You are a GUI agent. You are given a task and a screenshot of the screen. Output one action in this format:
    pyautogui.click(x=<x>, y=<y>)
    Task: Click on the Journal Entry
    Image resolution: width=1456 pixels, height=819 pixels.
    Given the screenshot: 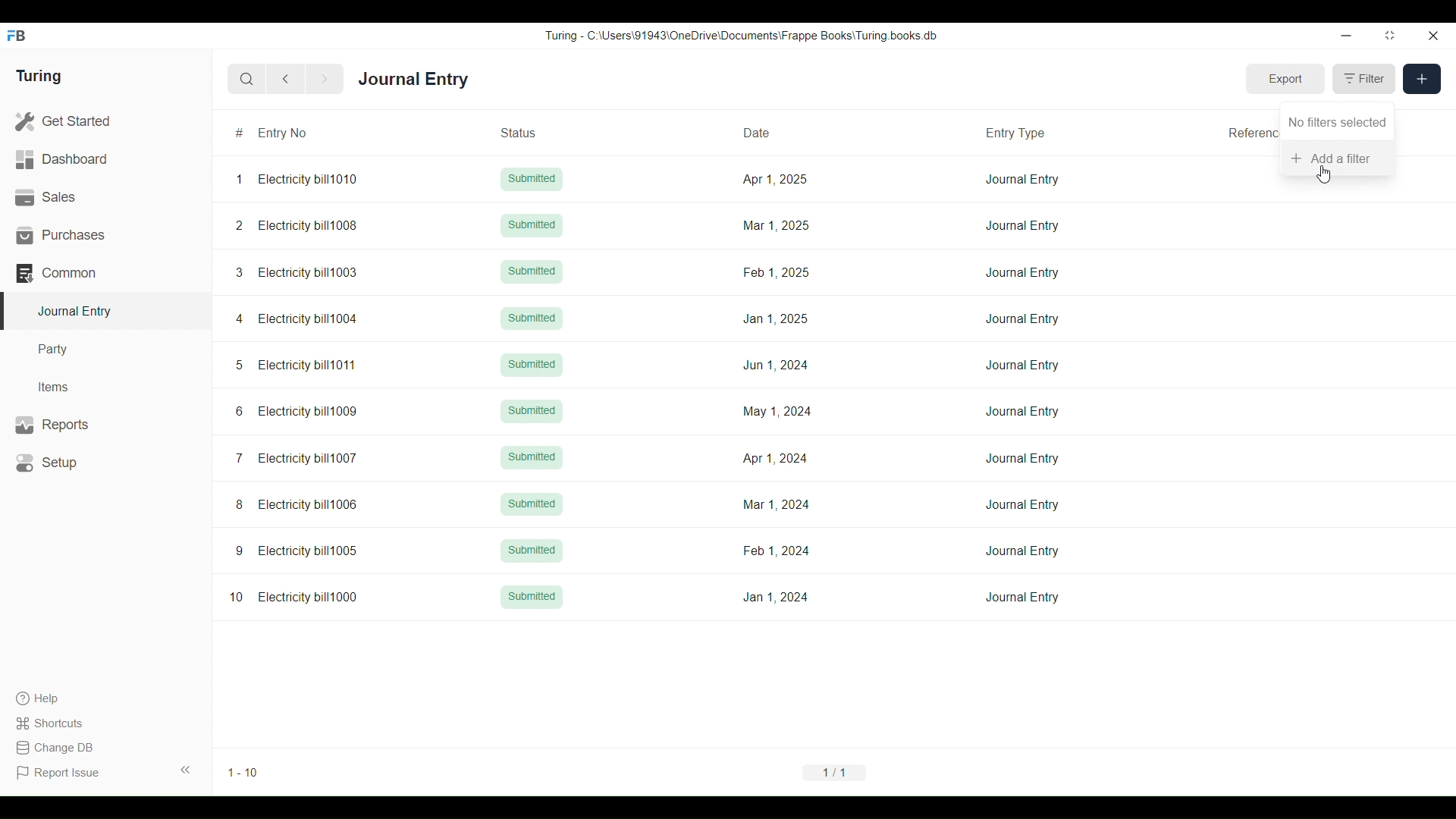 What is the action you would take?
    pyautogui.click(x=1021, y=598)
    